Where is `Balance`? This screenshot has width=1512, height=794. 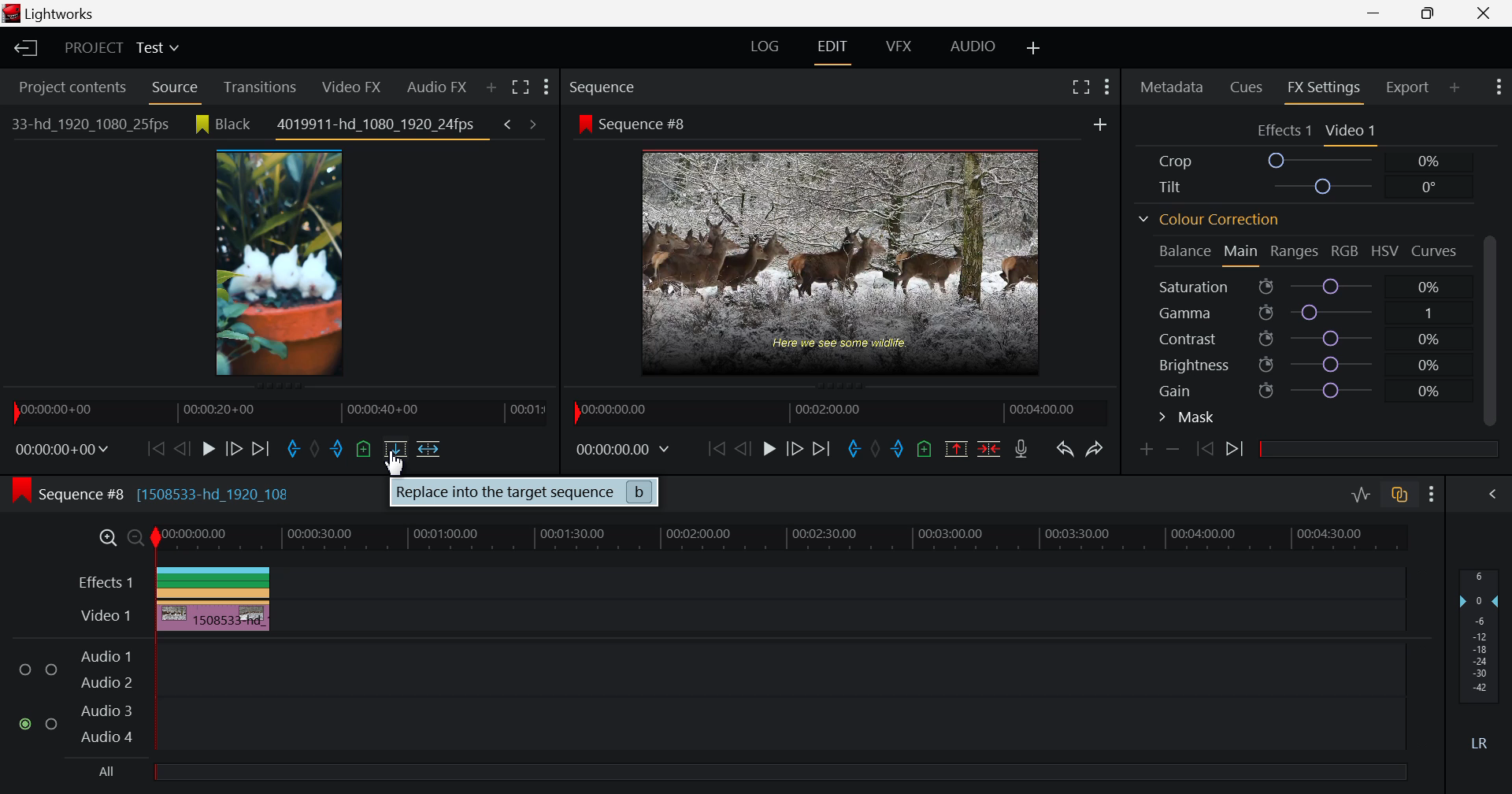
Balance is located at coordinates (1183, 250).